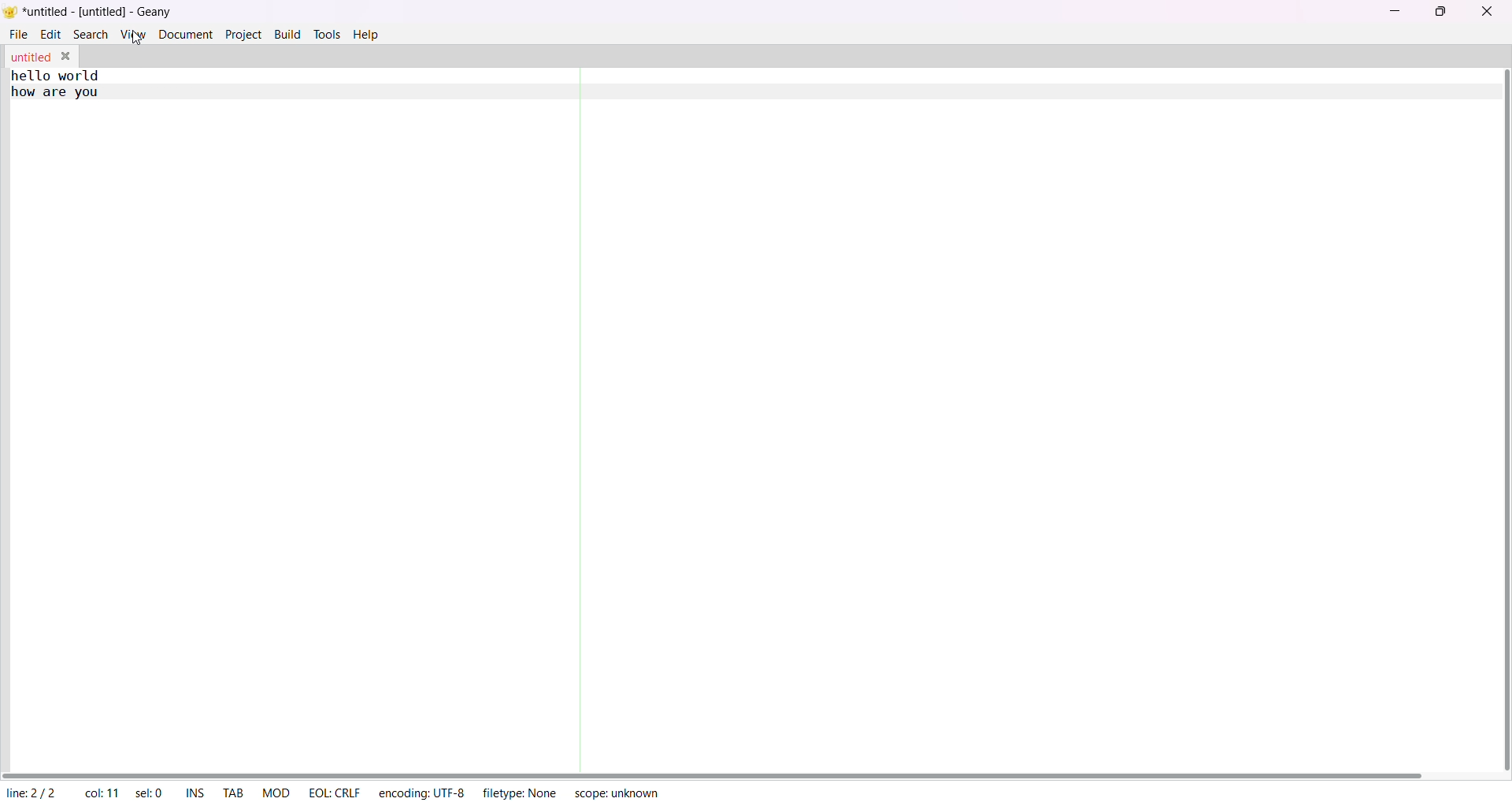  Describe the element at coordinates (20, 35) in the screenshot. I see `file` at that location.